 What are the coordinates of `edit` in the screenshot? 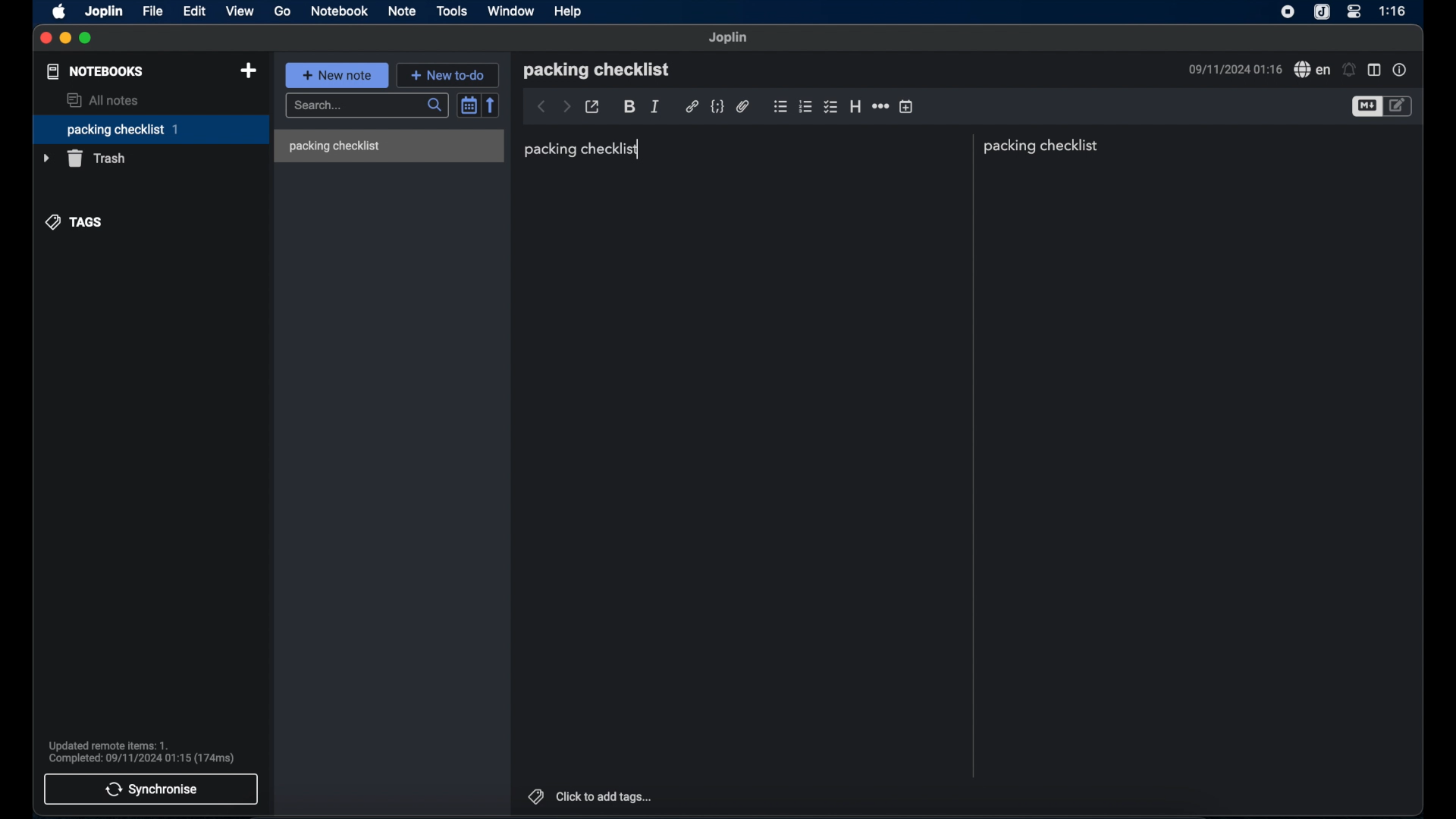 It's located at (195, 11).